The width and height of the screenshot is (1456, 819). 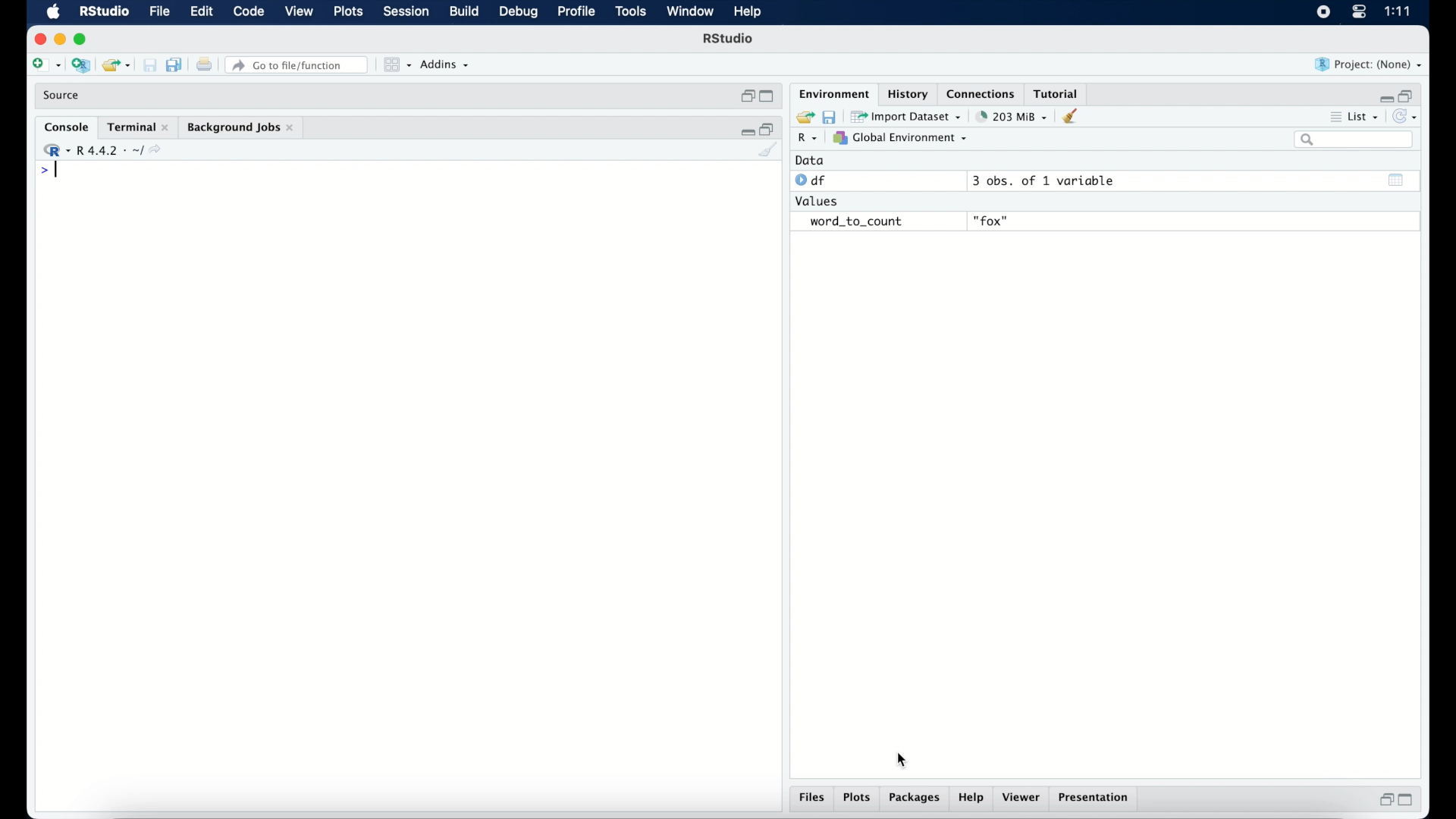 What do you see at coordinates (201, 12) in the screenshot?
I see `edit` at bounding box center [201, 12].